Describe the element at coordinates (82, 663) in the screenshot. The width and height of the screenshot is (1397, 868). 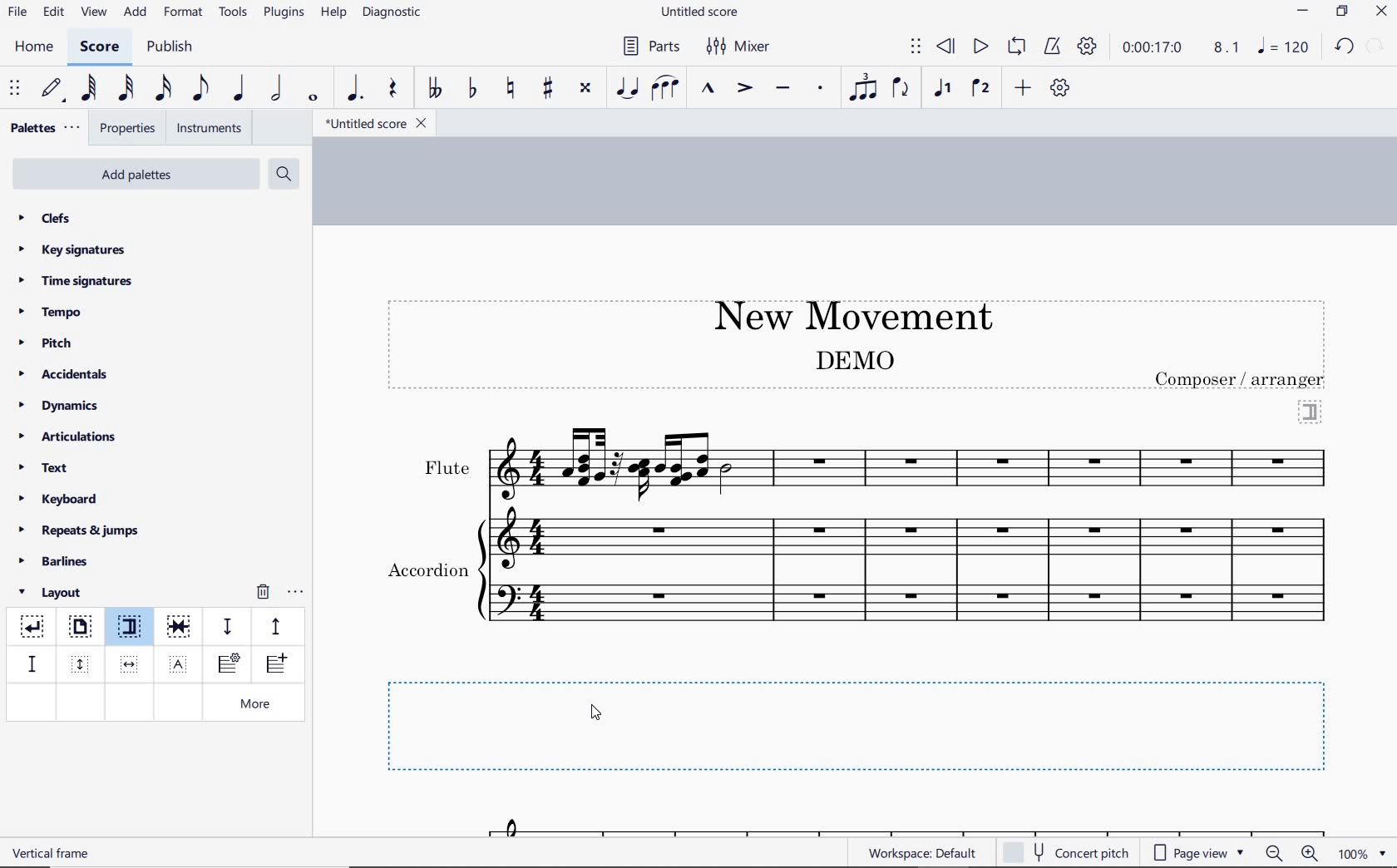
I see `insert vertical frame` at that location.